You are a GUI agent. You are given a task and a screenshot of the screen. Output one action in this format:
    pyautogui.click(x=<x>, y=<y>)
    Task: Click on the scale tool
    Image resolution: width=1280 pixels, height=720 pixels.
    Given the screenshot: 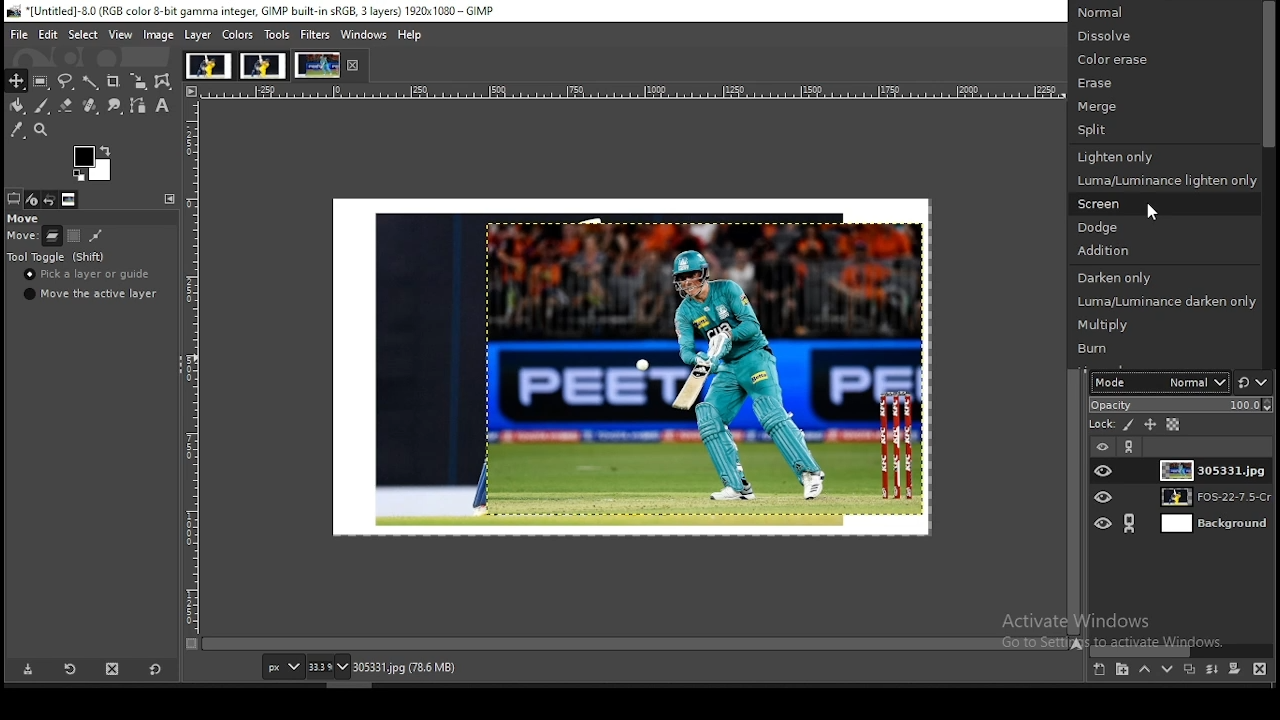 What is the action you would take?
    pyautogui.click(x=139, y=81)
    